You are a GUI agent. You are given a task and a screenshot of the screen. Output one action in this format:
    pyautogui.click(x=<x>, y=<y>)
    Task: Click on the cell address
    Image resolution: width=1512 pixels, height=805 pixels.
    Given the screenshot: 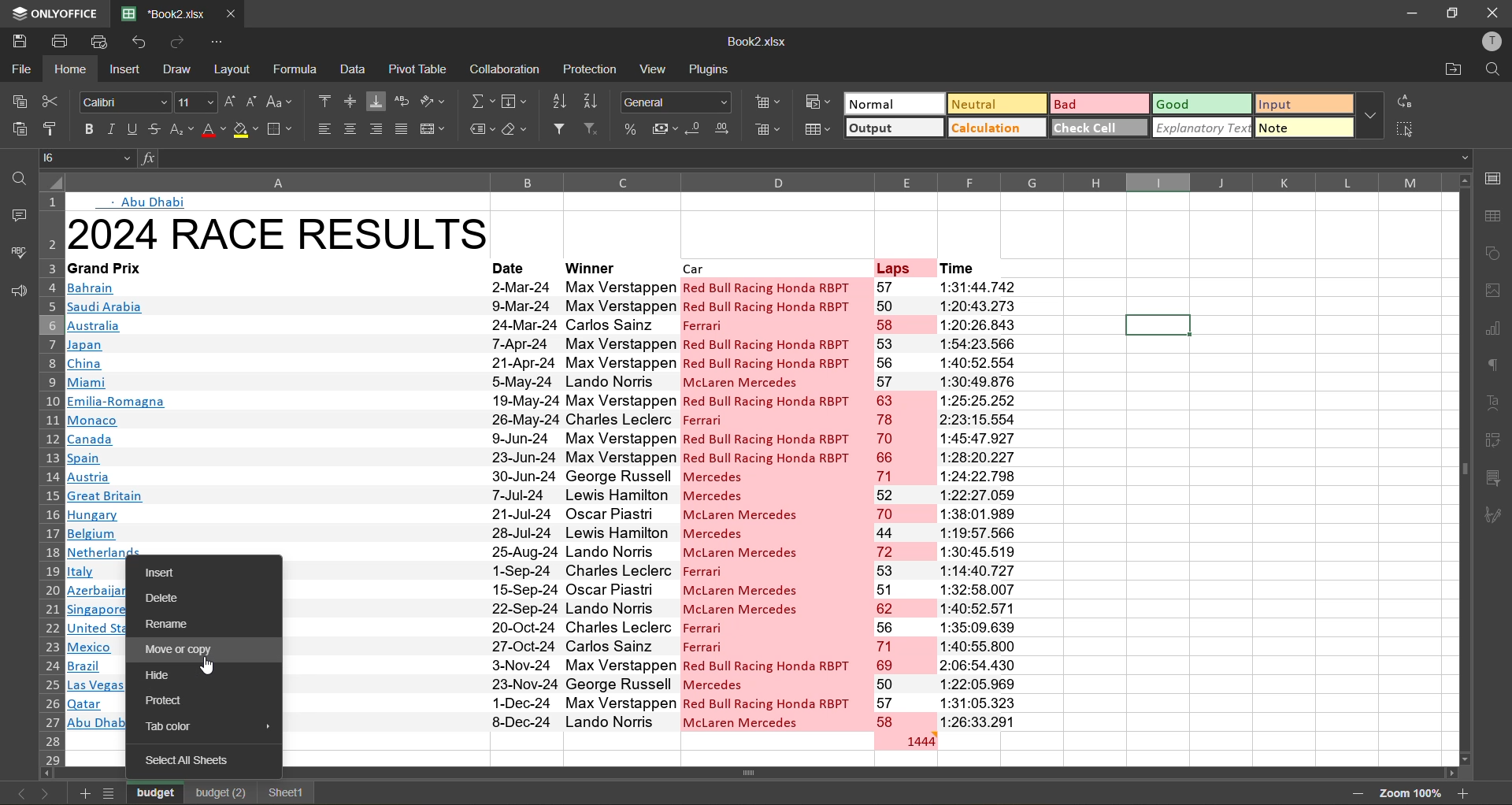 What is the action you would take?
    pyautogui.click(x=90, y=157)
    